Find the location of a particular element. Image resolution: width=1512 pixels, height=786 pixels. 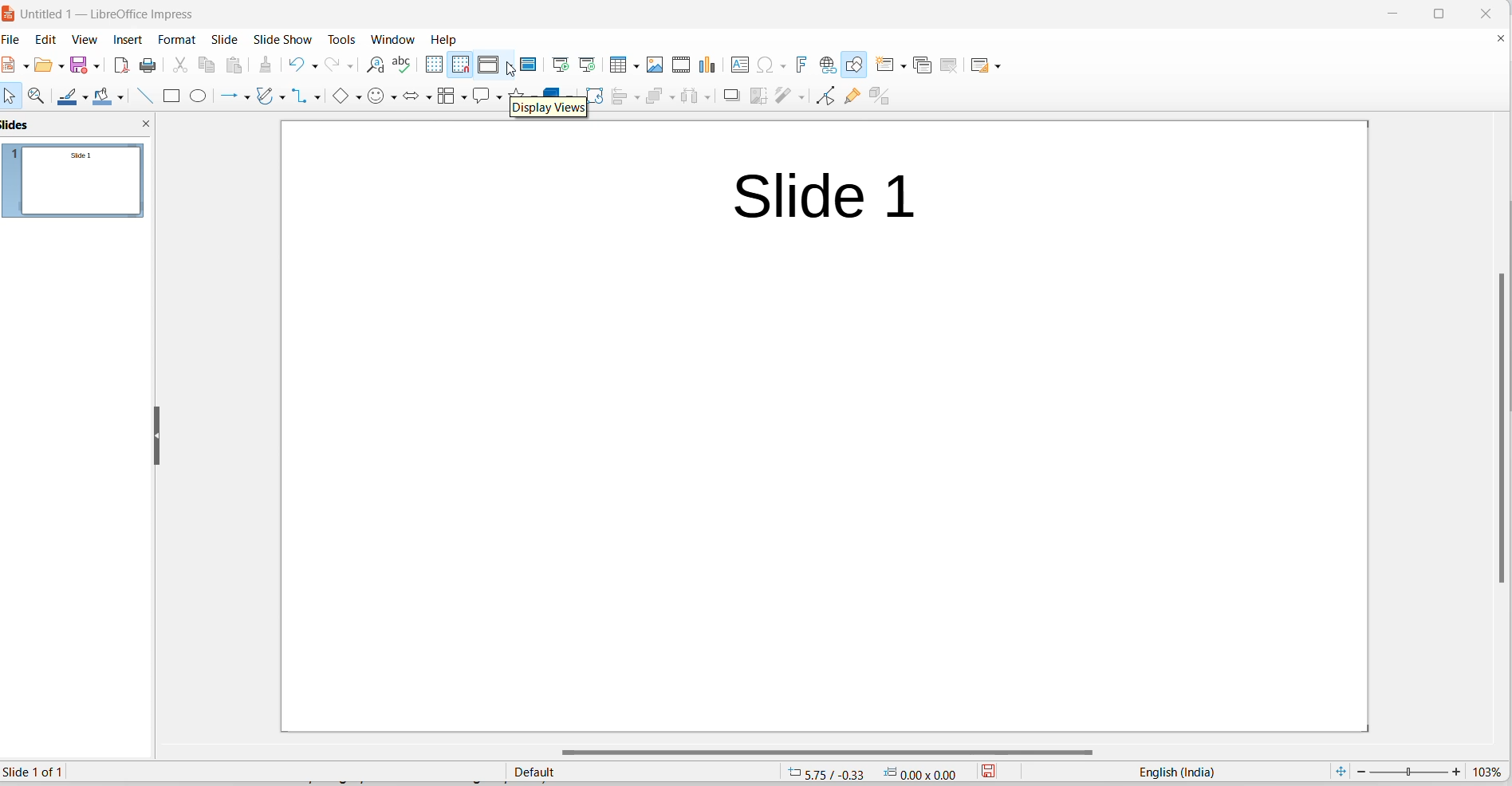

print is located at coordinates (149, 67).